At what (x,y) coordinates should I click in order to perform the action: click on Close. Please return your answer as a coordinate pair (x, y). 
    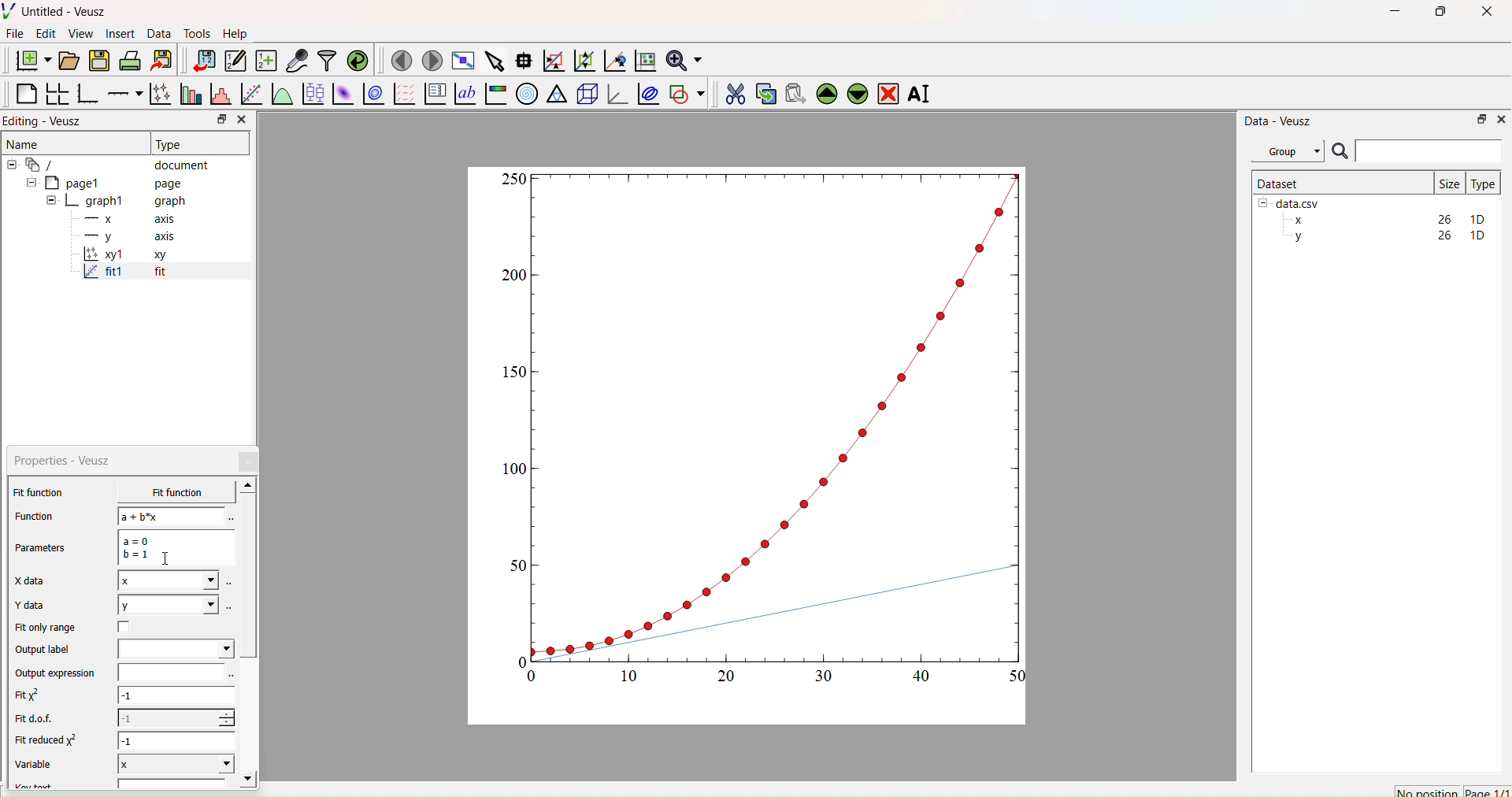
    Looking at the image, I should click on (1500, 118).